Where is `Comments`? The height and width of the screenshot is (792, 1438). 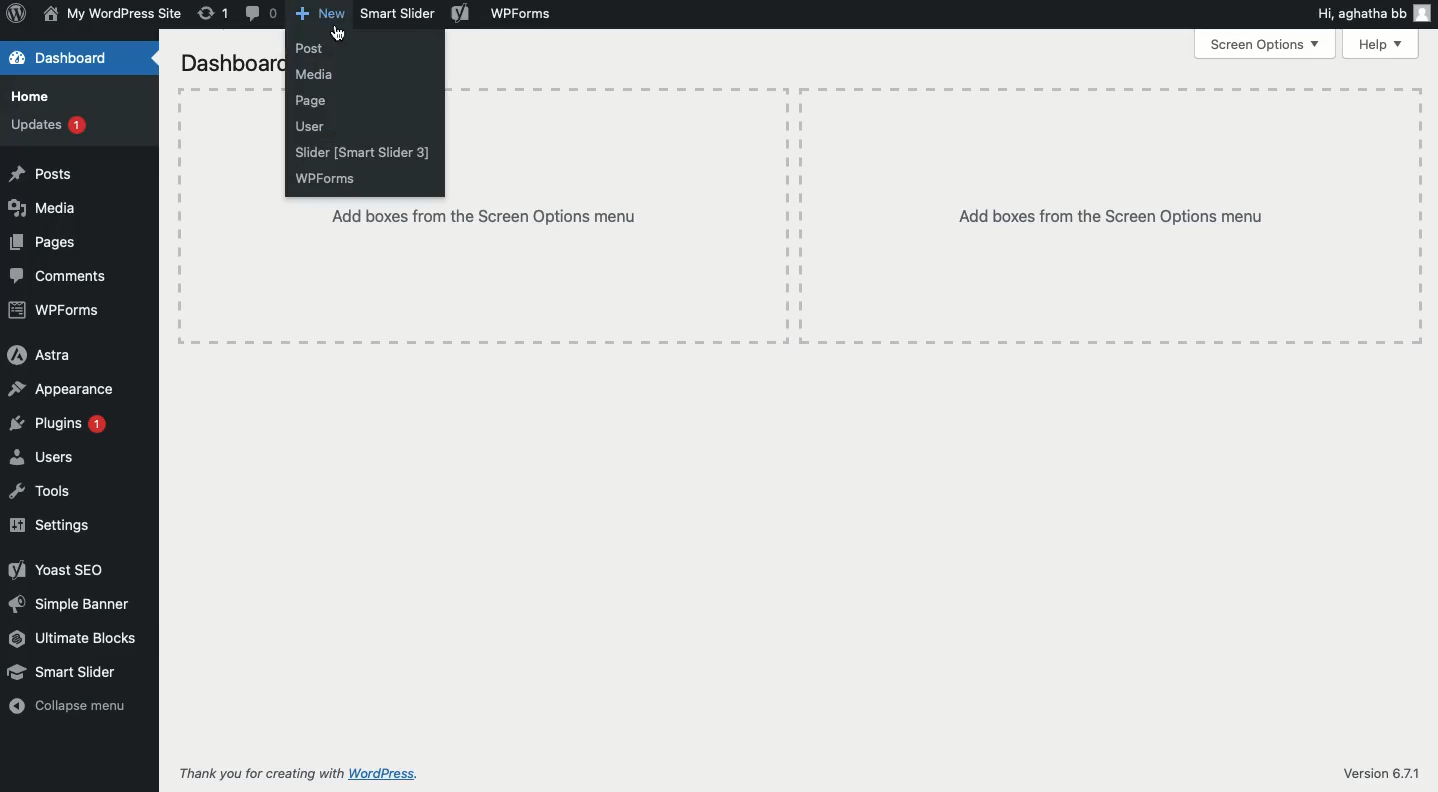 Comments is located at coordinates (58, 276).